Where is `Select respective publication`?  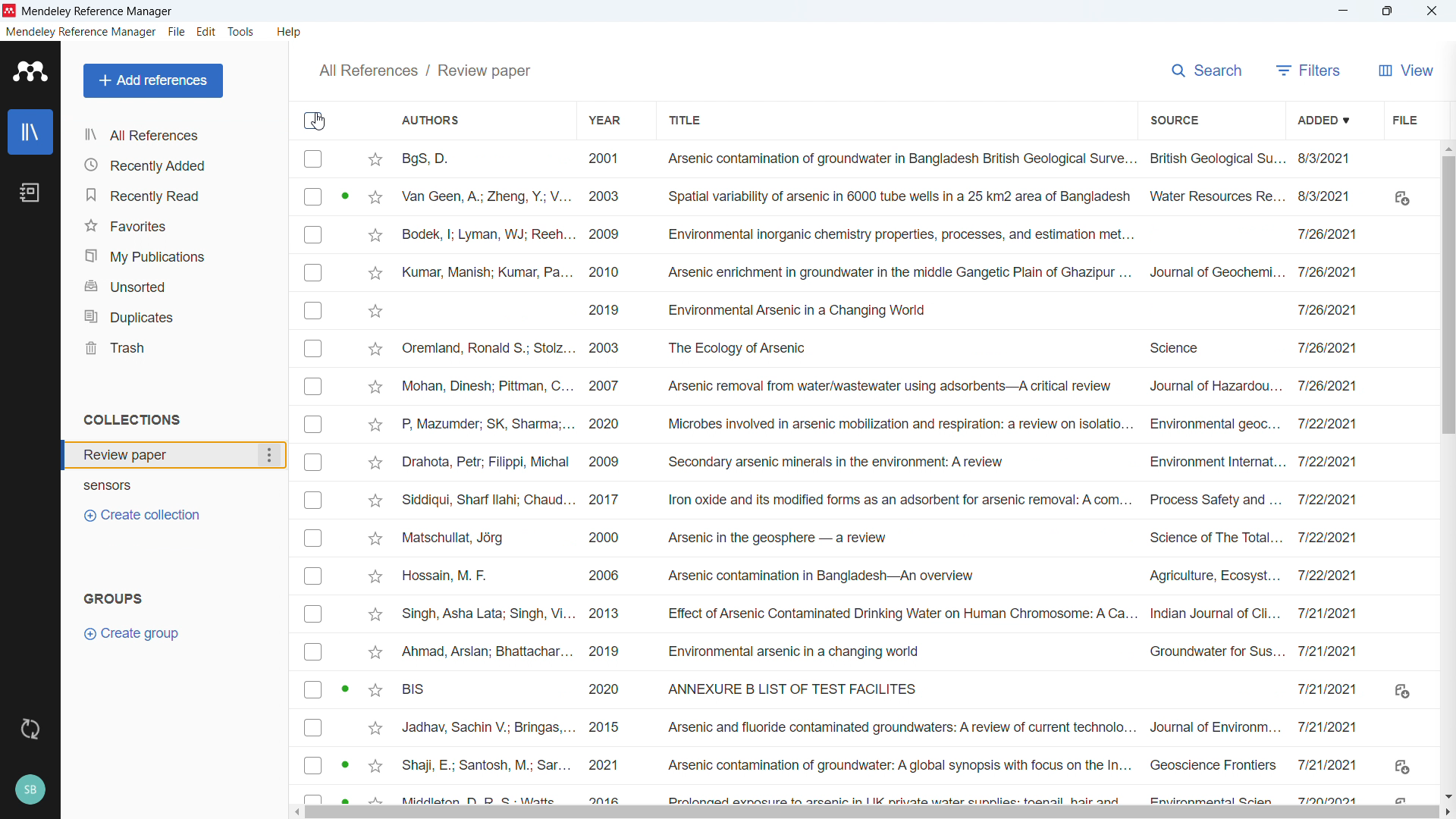
Select respective publication is located at coordinates (313, 158).